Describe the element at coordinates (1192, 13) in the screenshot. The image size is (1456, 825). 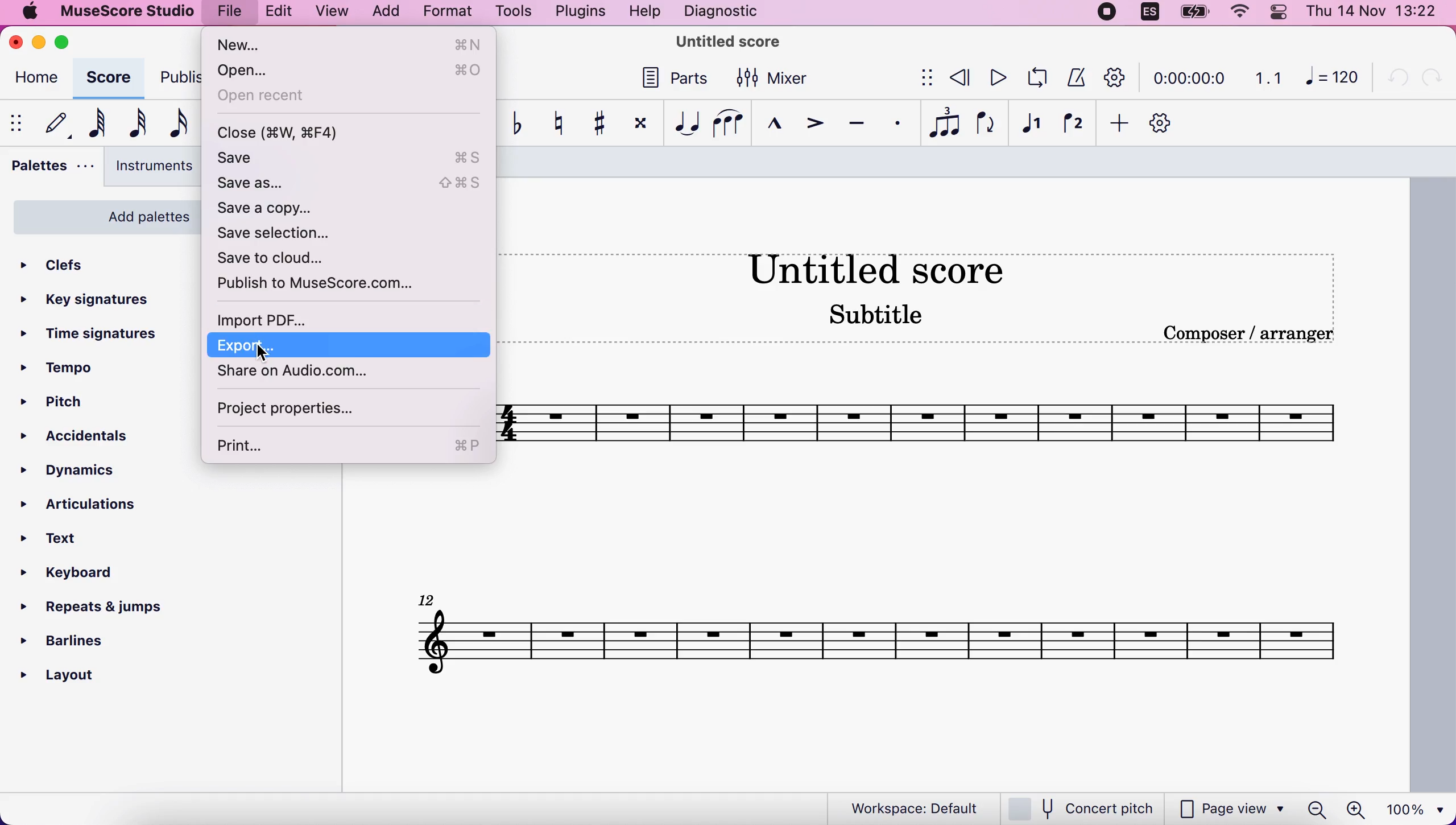
I see `battery` at that location.